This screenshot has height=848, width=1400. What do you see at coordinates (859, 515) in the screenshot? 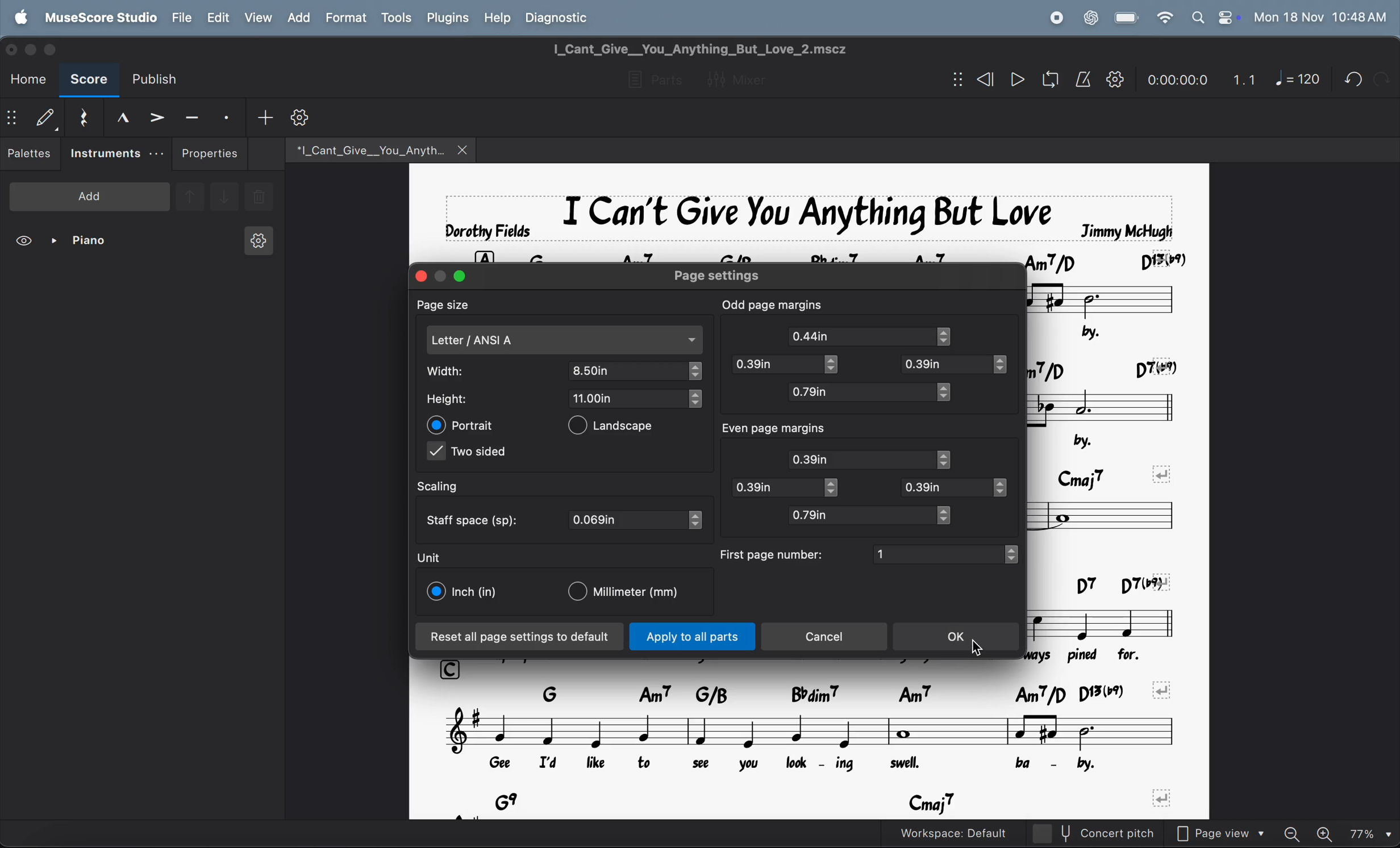
I see `0.79in` at bounding box center [859, 515].